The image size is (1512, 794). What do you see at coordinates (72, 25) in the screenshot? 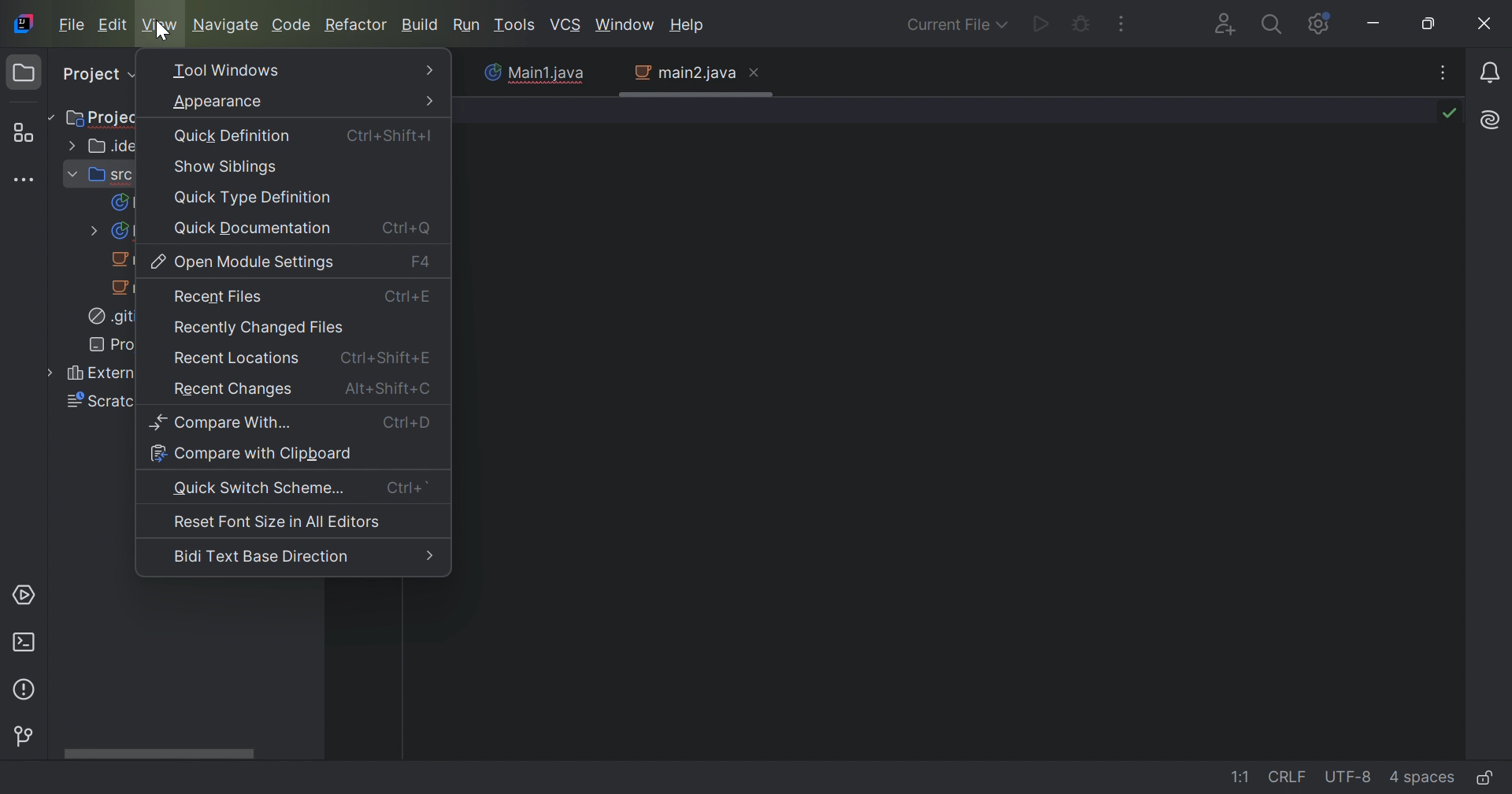
I see `File` at bounding box center [72, 25].